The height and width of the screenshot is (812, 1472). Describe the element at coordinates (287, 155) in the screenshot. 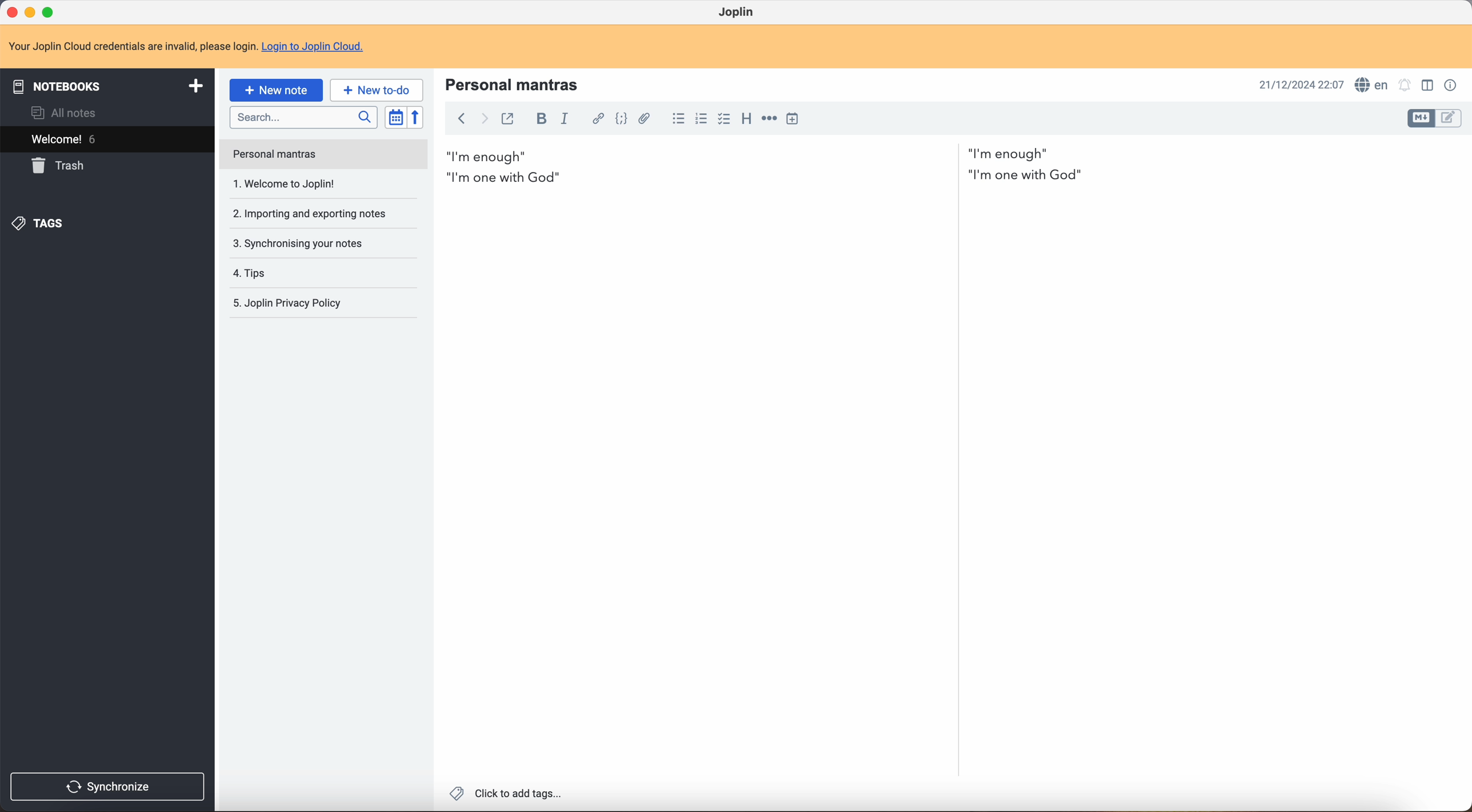

I see `welcome to Joplin` at that location.